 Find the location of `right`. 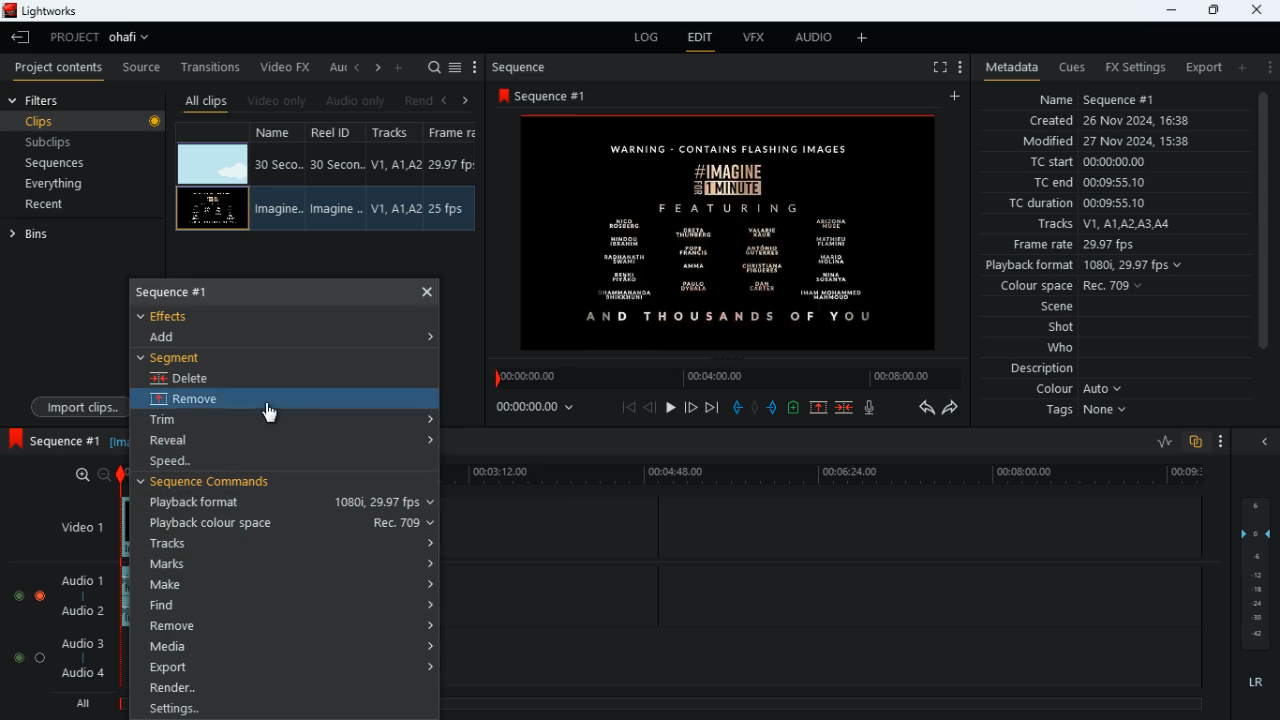

right is located at coordinates (378, 68).